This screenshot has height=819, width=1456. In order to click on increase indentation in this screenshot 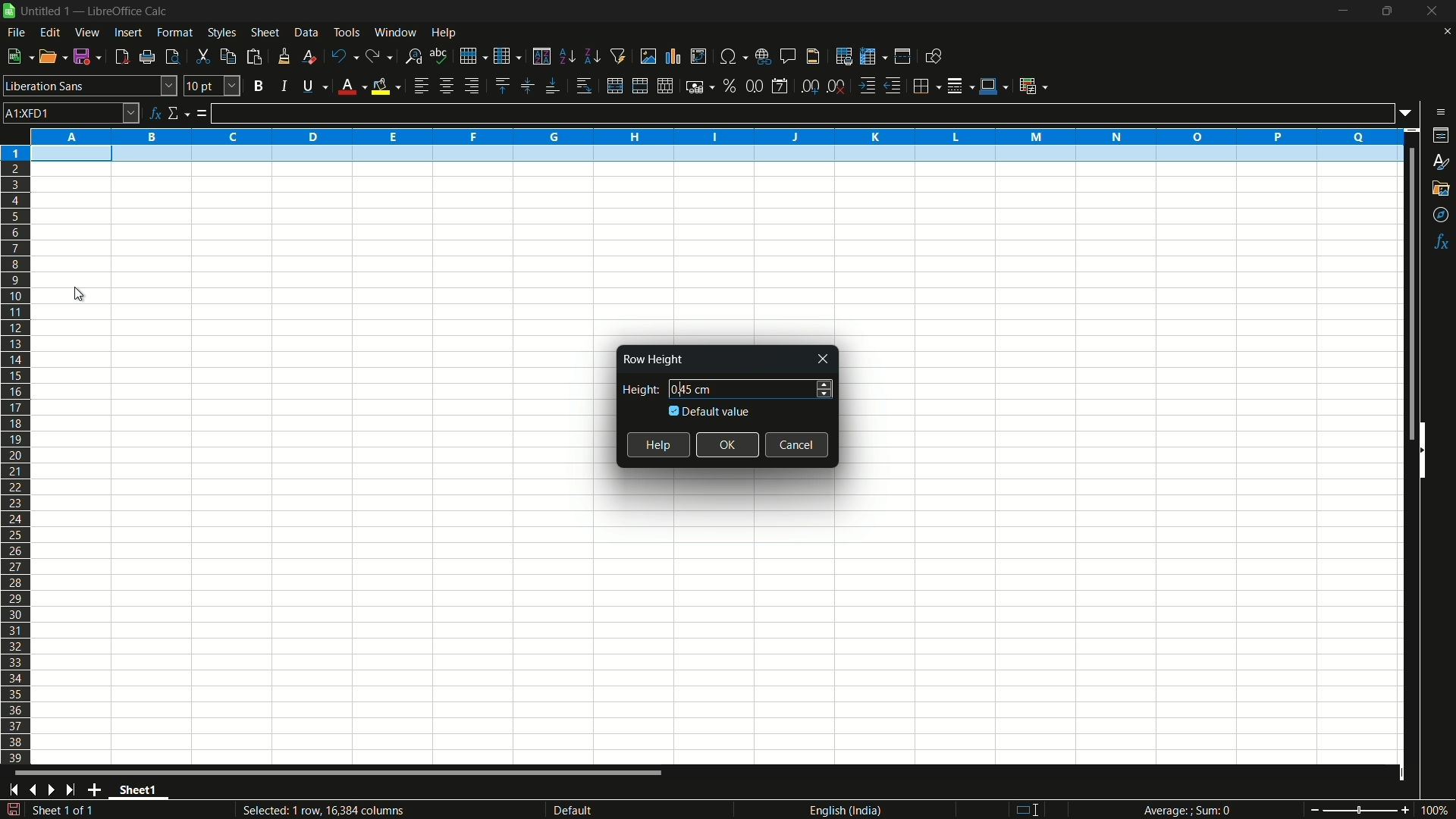, I will do `click(868, 86)`.